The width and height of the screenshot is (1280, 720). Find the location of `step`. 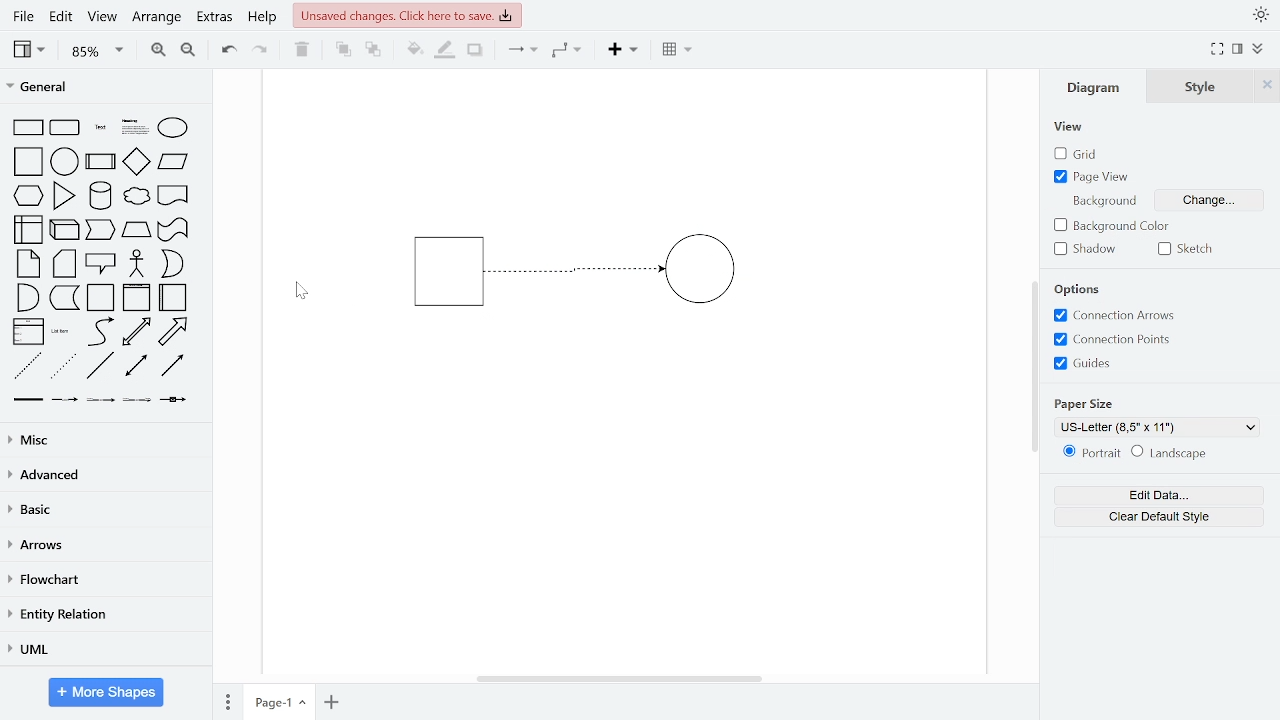

step is located at coordinates (99, 230).